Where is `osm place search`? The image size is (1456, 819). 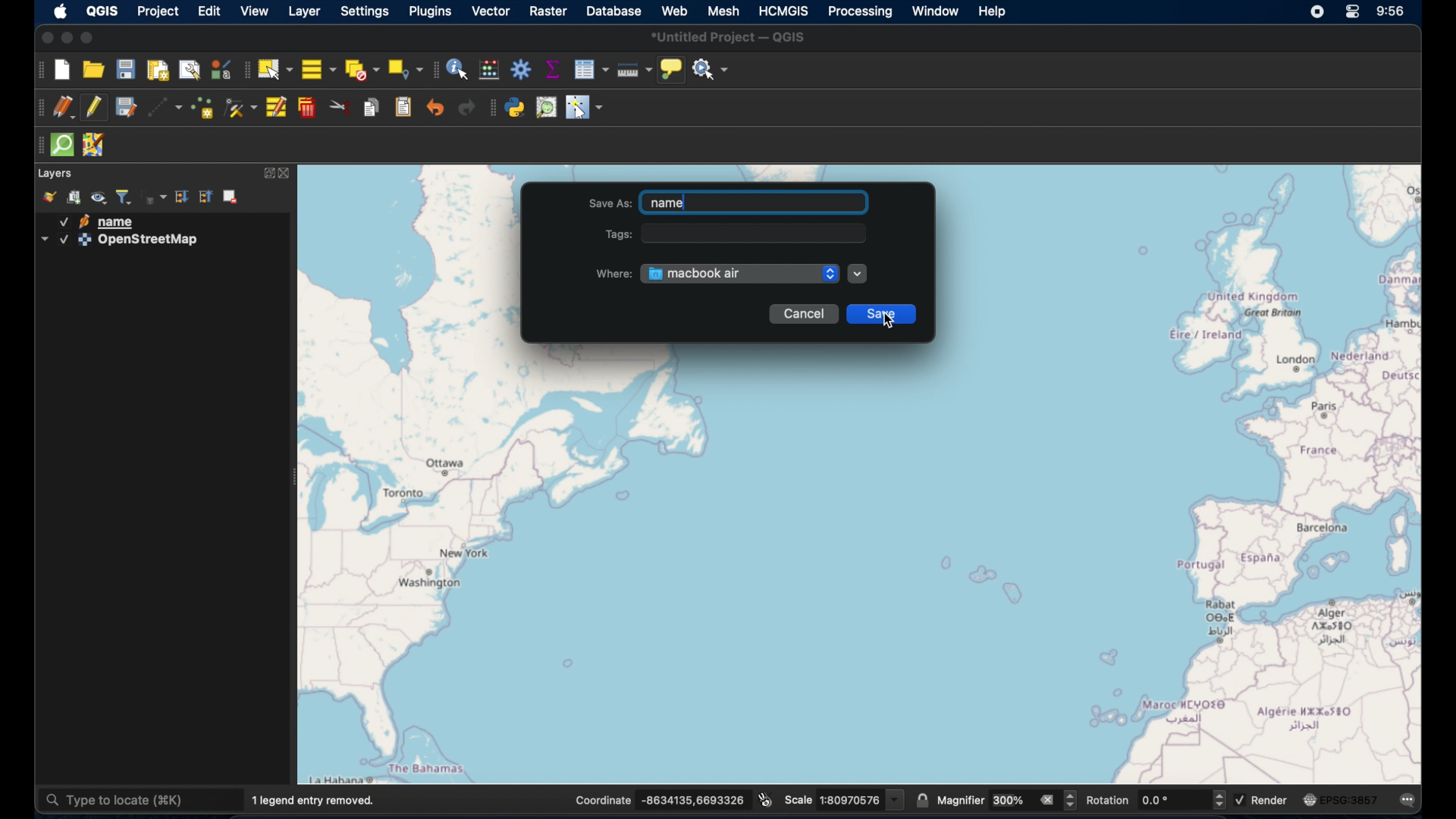 osm place search is located at coordinates (546, 108).